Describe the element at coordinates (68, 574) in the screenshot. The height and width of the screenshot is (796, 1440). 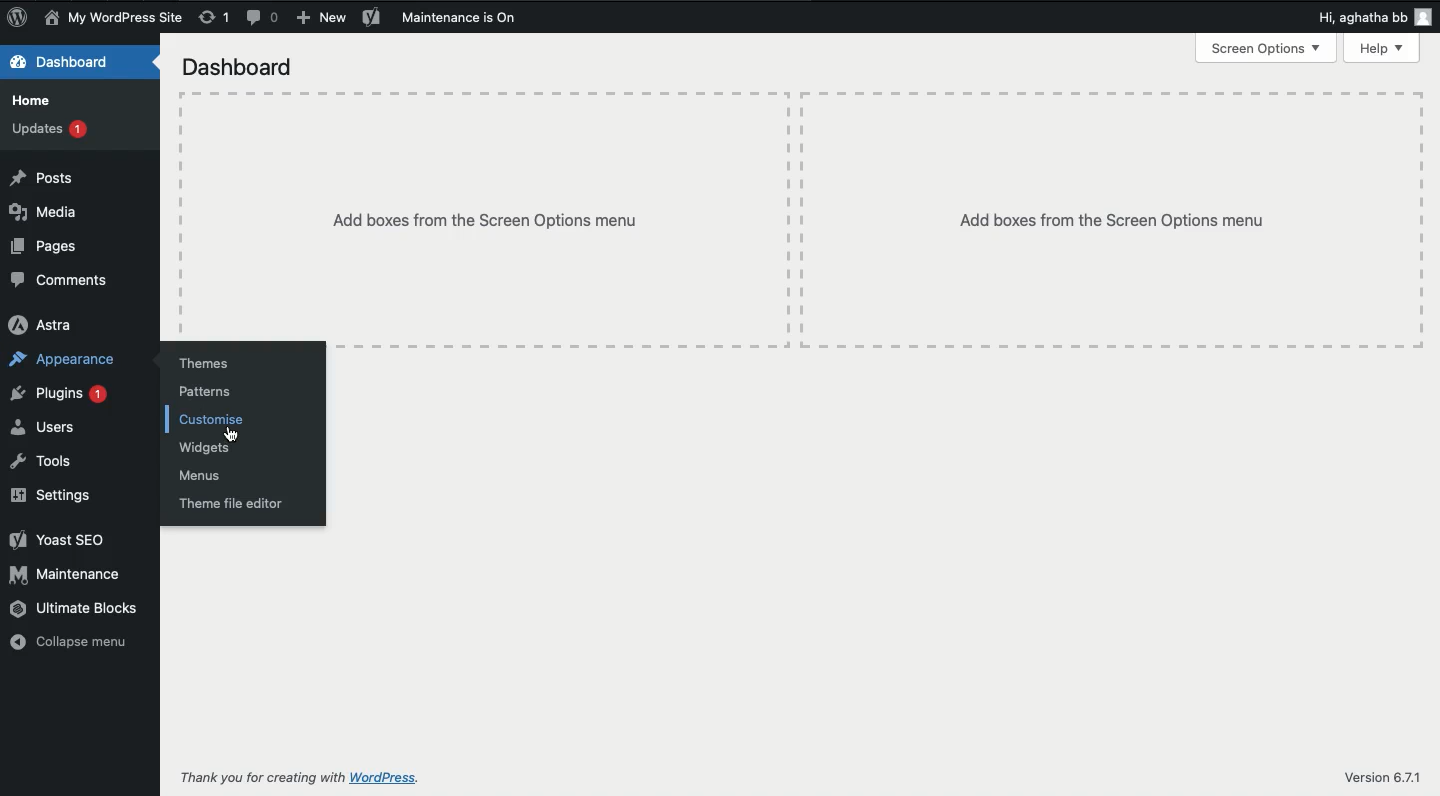
I see `Maintenance` at that location.